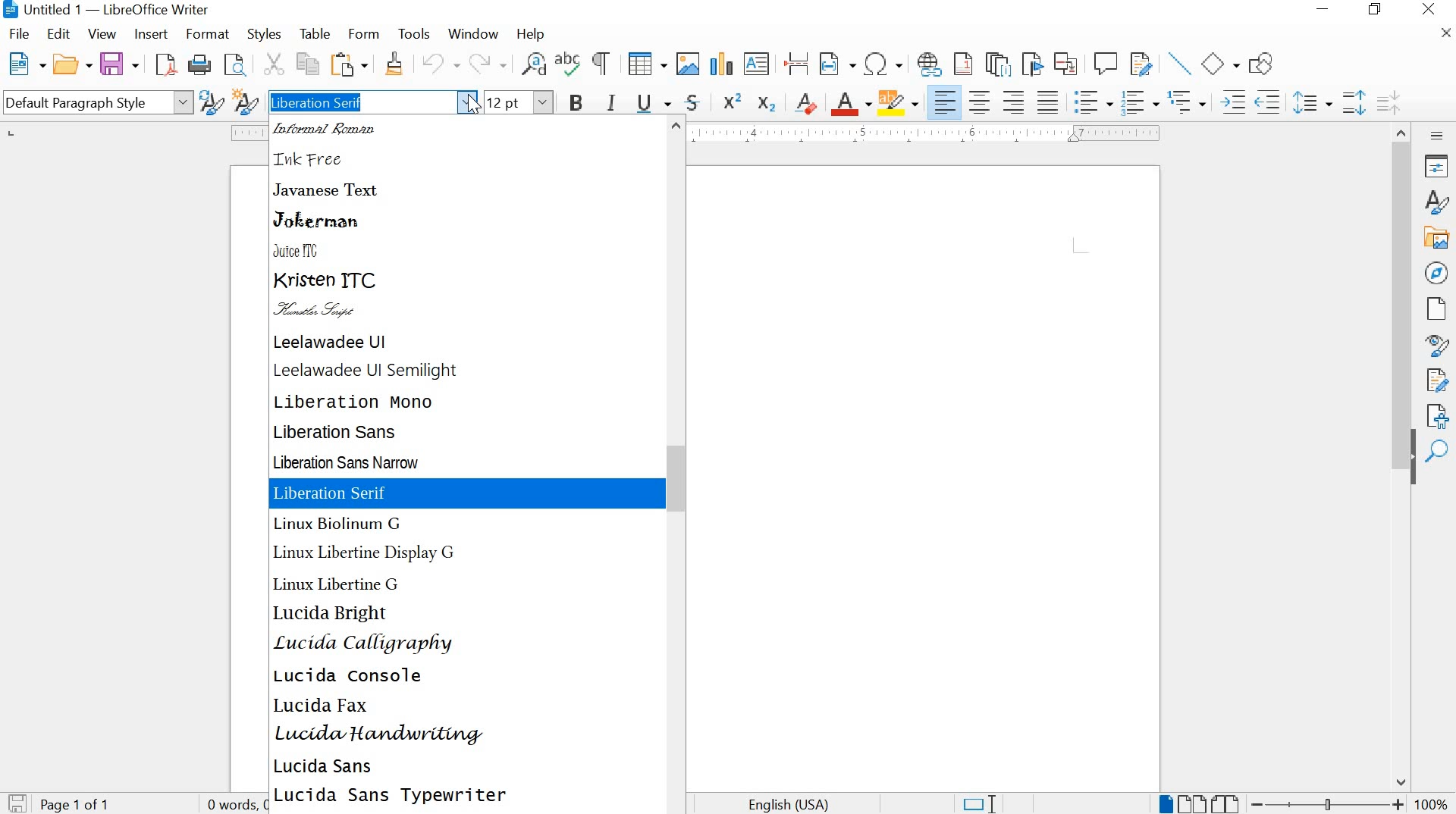 The image size is (1456, 814). Describe the element at coordinates (527, 35) in the screenshot. I see `HELP` at that location.